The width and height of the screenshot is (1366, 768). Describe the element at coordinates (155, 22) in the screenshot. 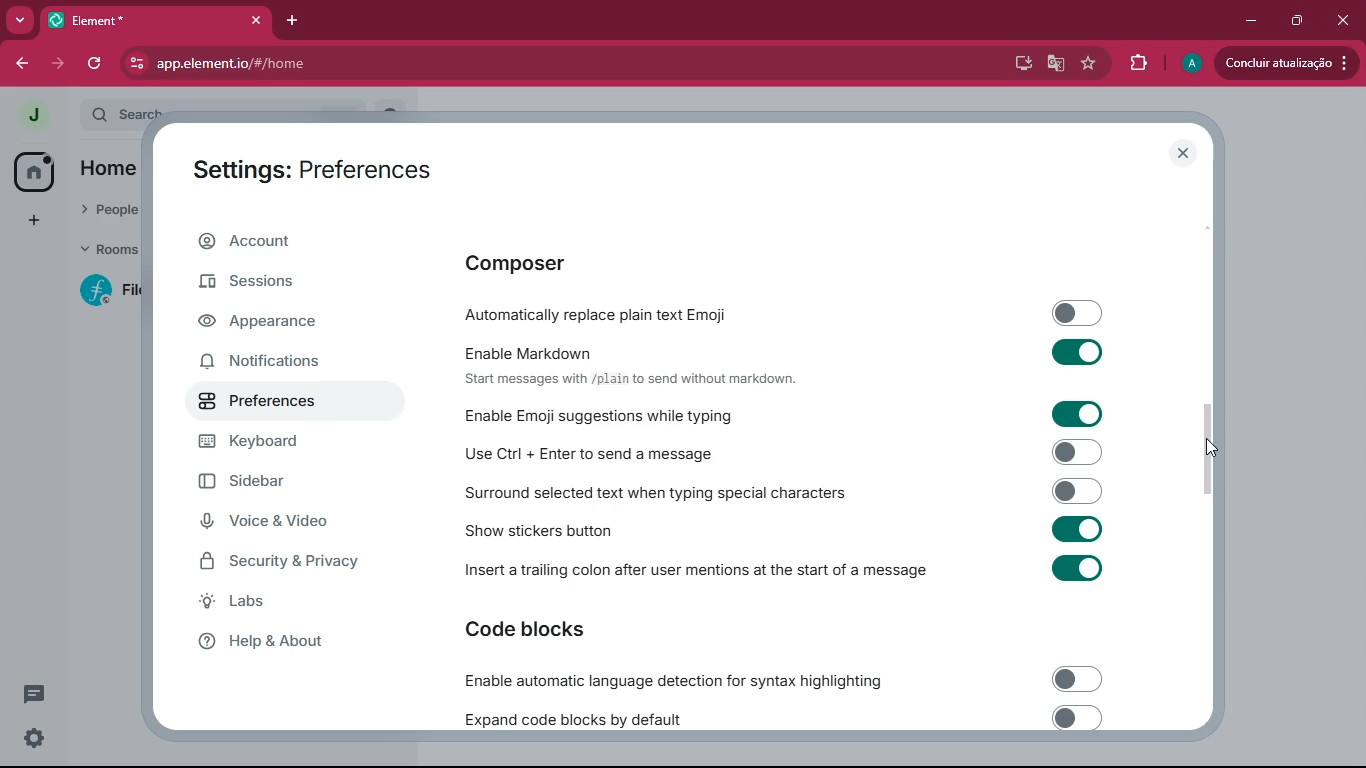

I see `element` at that location.